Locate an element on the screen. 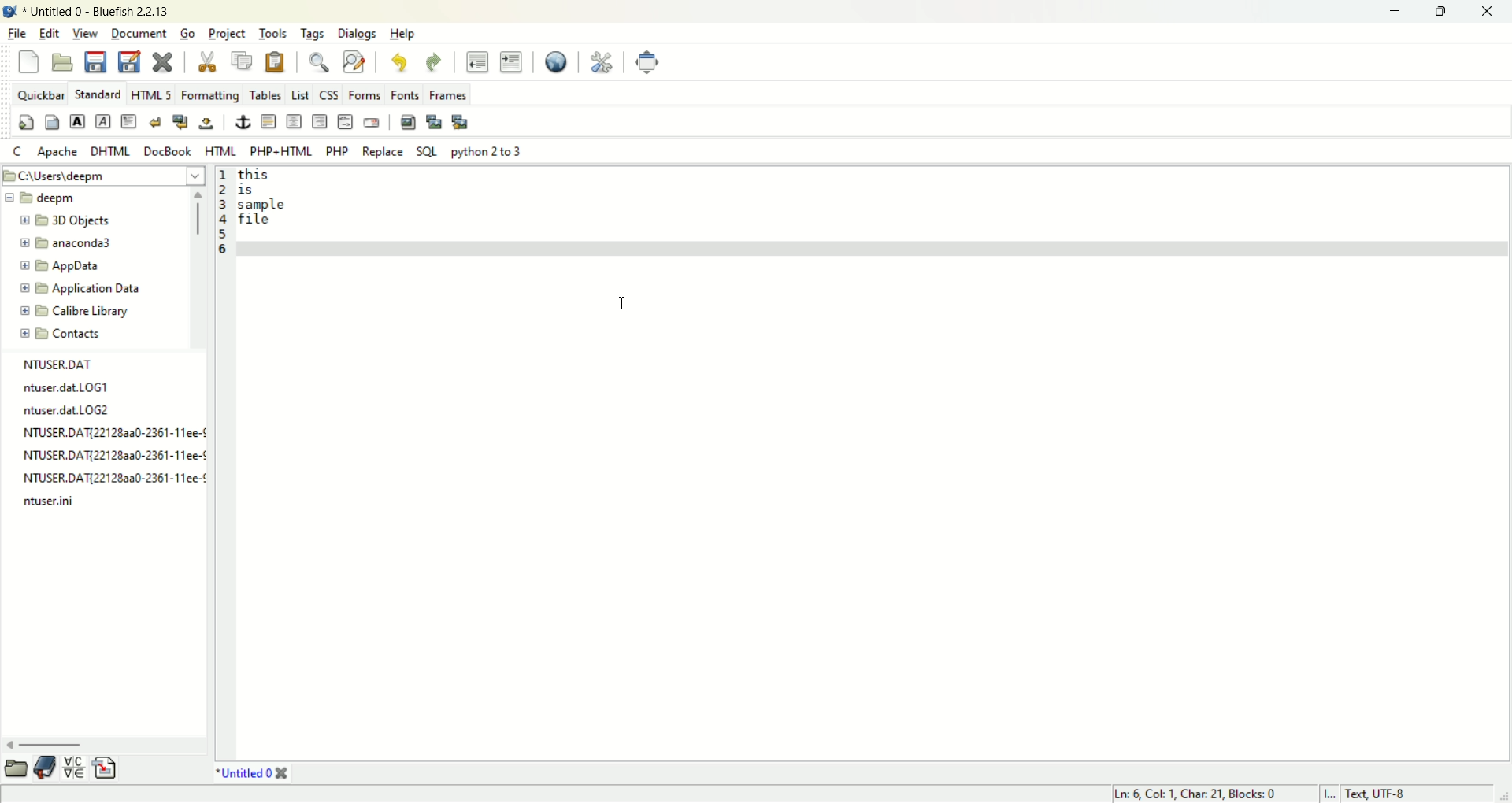 This screenshot has width=1512, height=803. list is located at coordinates (298, 94).